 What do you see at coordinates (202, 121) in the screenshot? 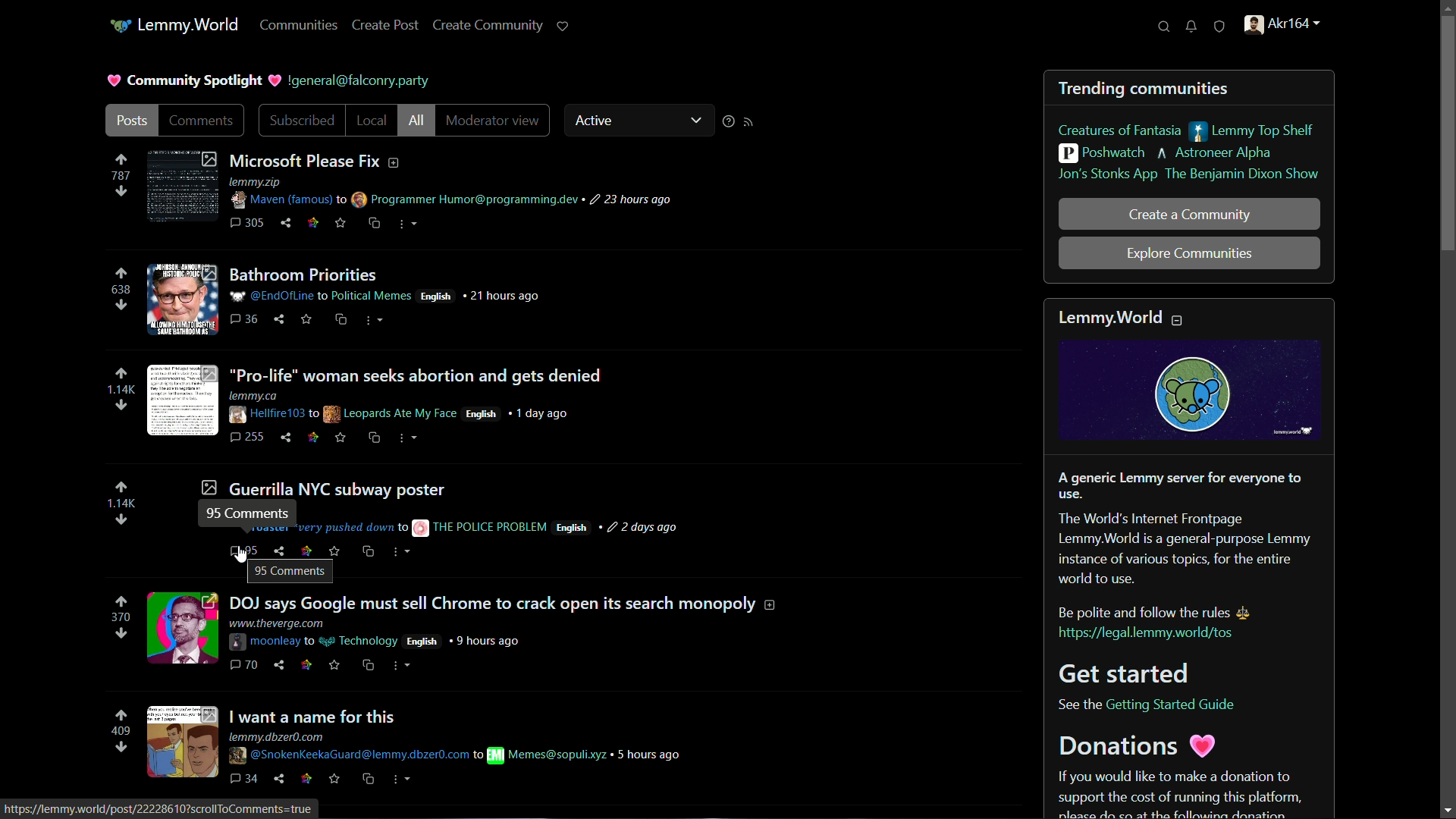
I see `comments` at bounding box center [202, 121].